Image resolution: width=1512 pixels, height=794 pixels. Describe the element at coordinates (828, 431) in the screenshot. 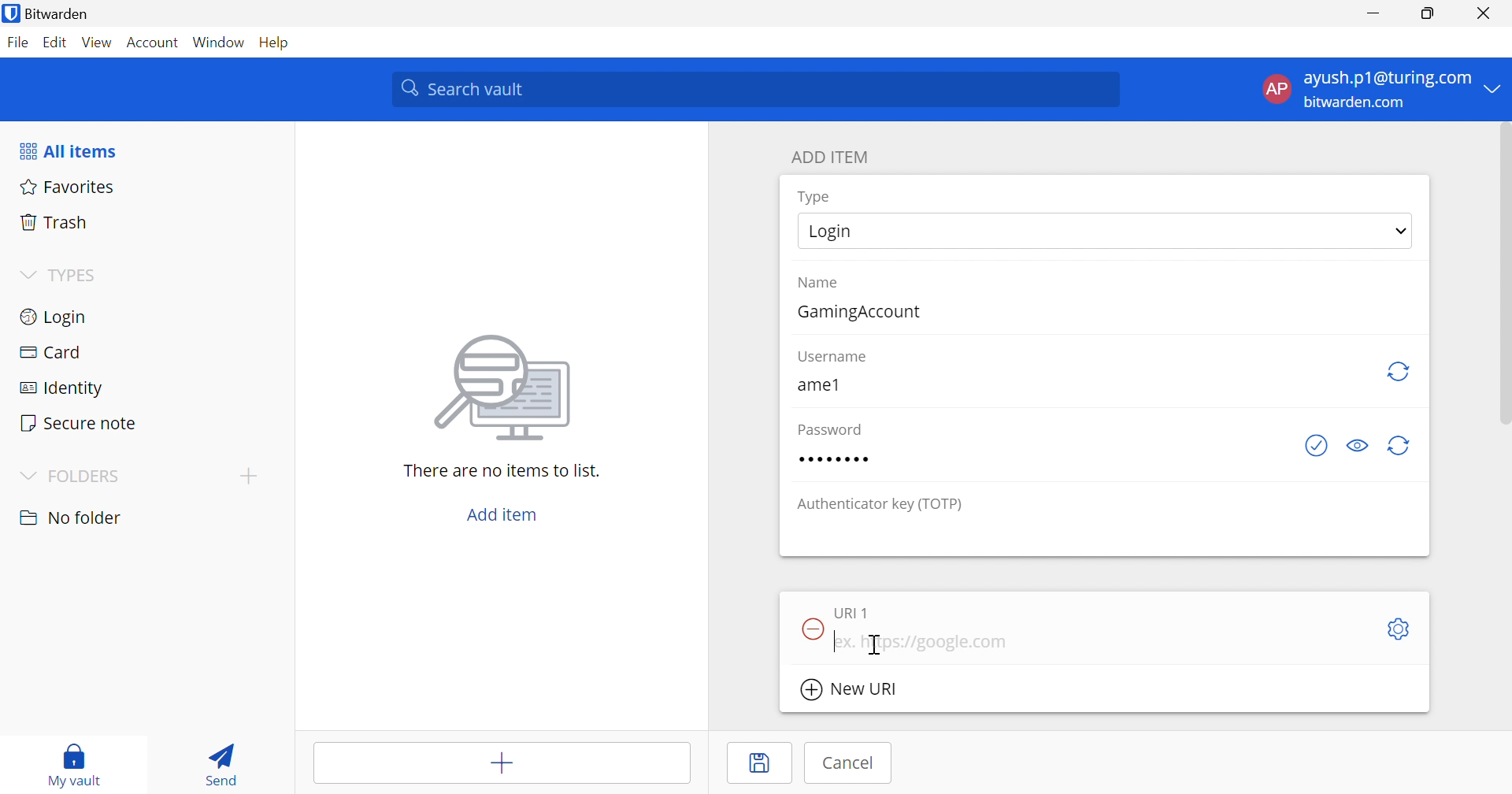

I see `Password` at that location.